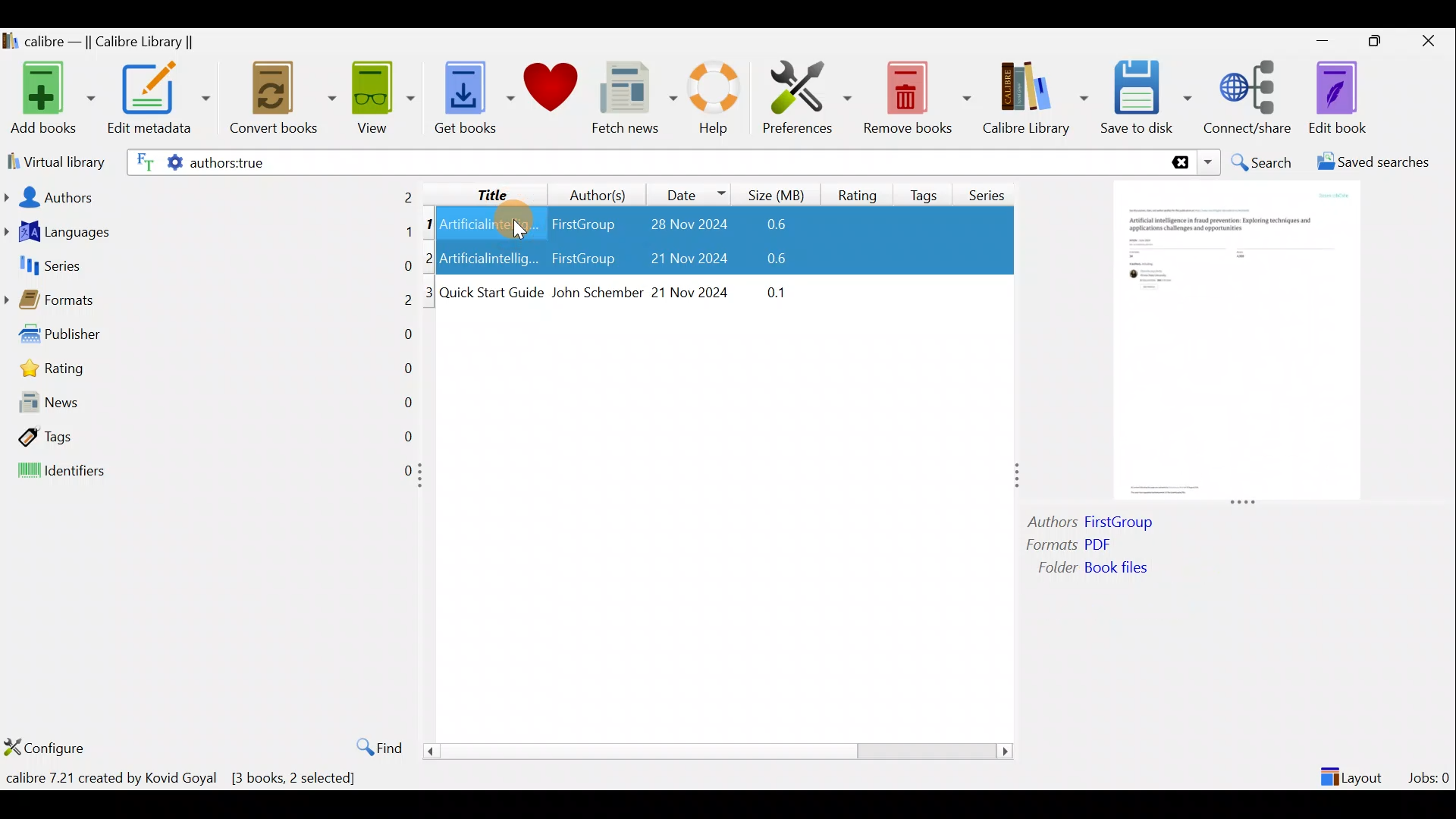  Describe the element at coordinates (1263, 162) in the screenshot. I see `Search` at that location.